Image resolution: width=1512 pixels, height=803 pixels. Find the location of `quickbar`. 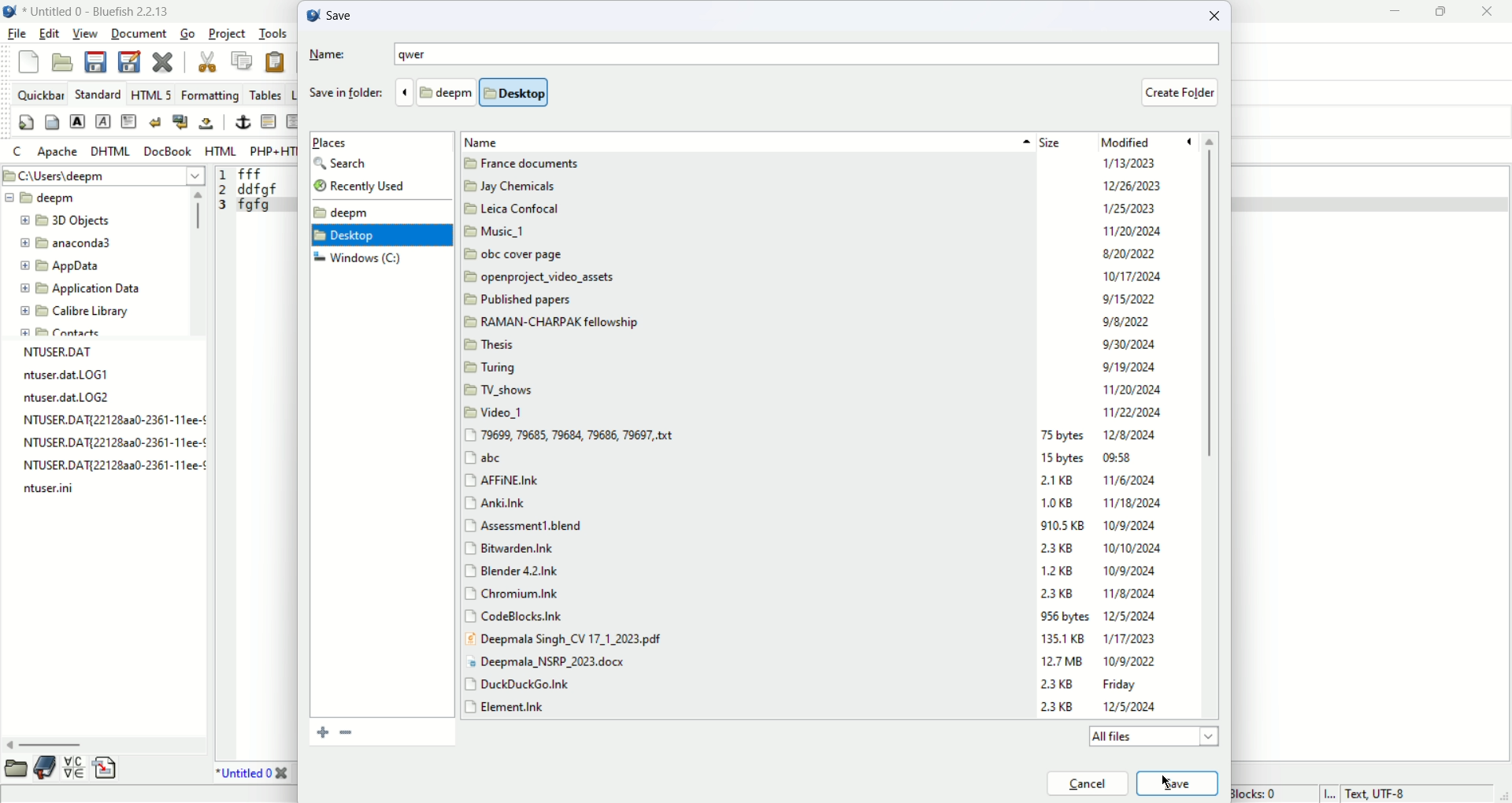

quickbar is located at coordinates (41, 94).